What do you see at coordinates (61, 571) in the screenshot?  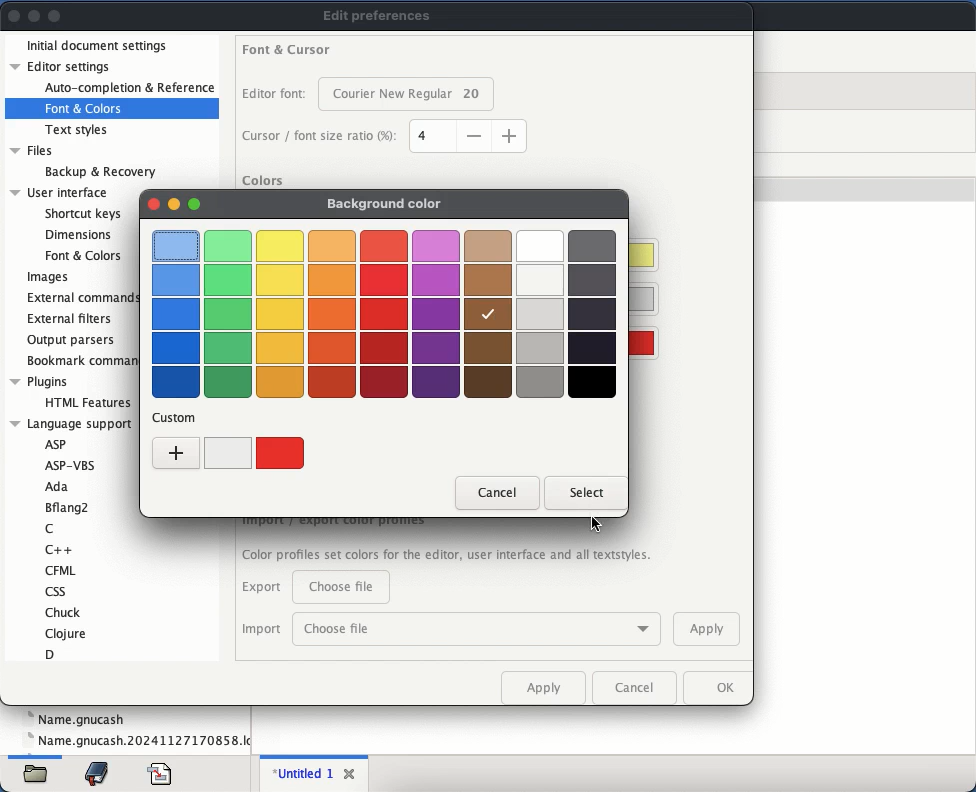 I see `CFML` at bounding box center [61, 571].